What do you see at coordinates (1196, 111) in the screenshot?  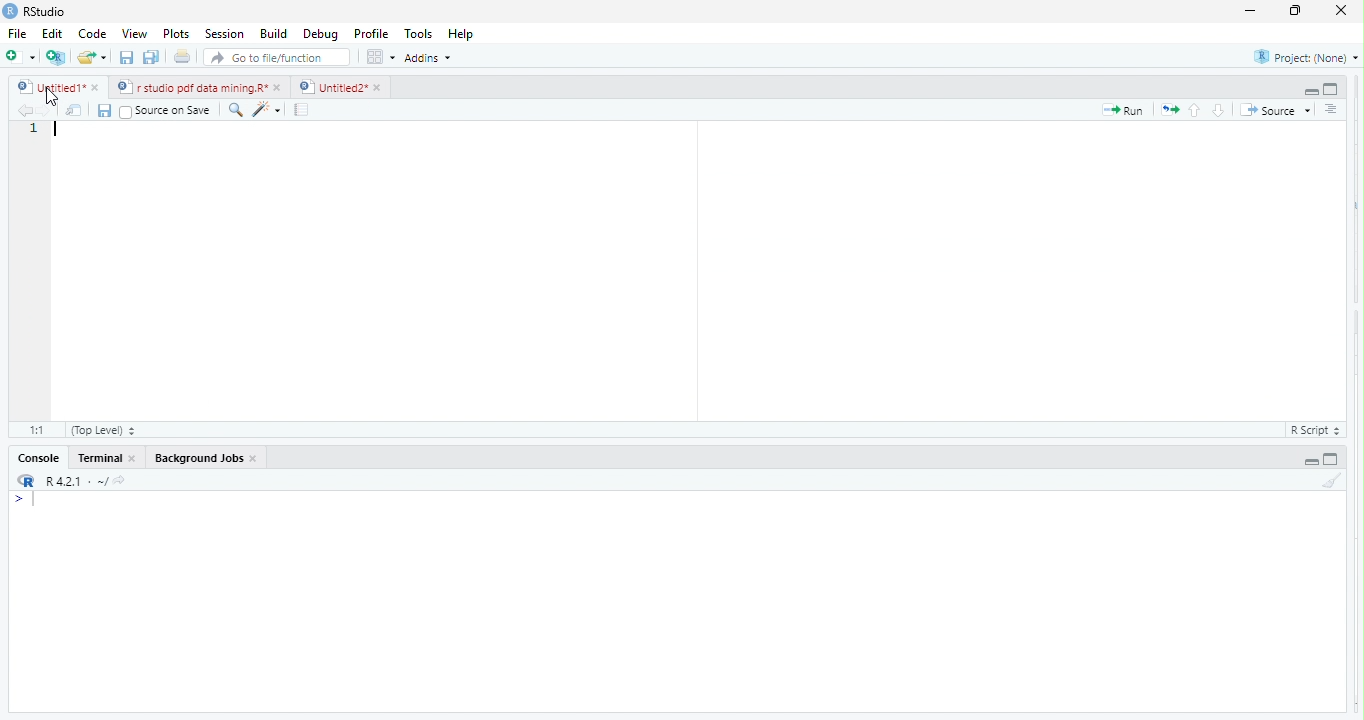 I see `go to previous section/chunk` at bounding box center [1196, 111].